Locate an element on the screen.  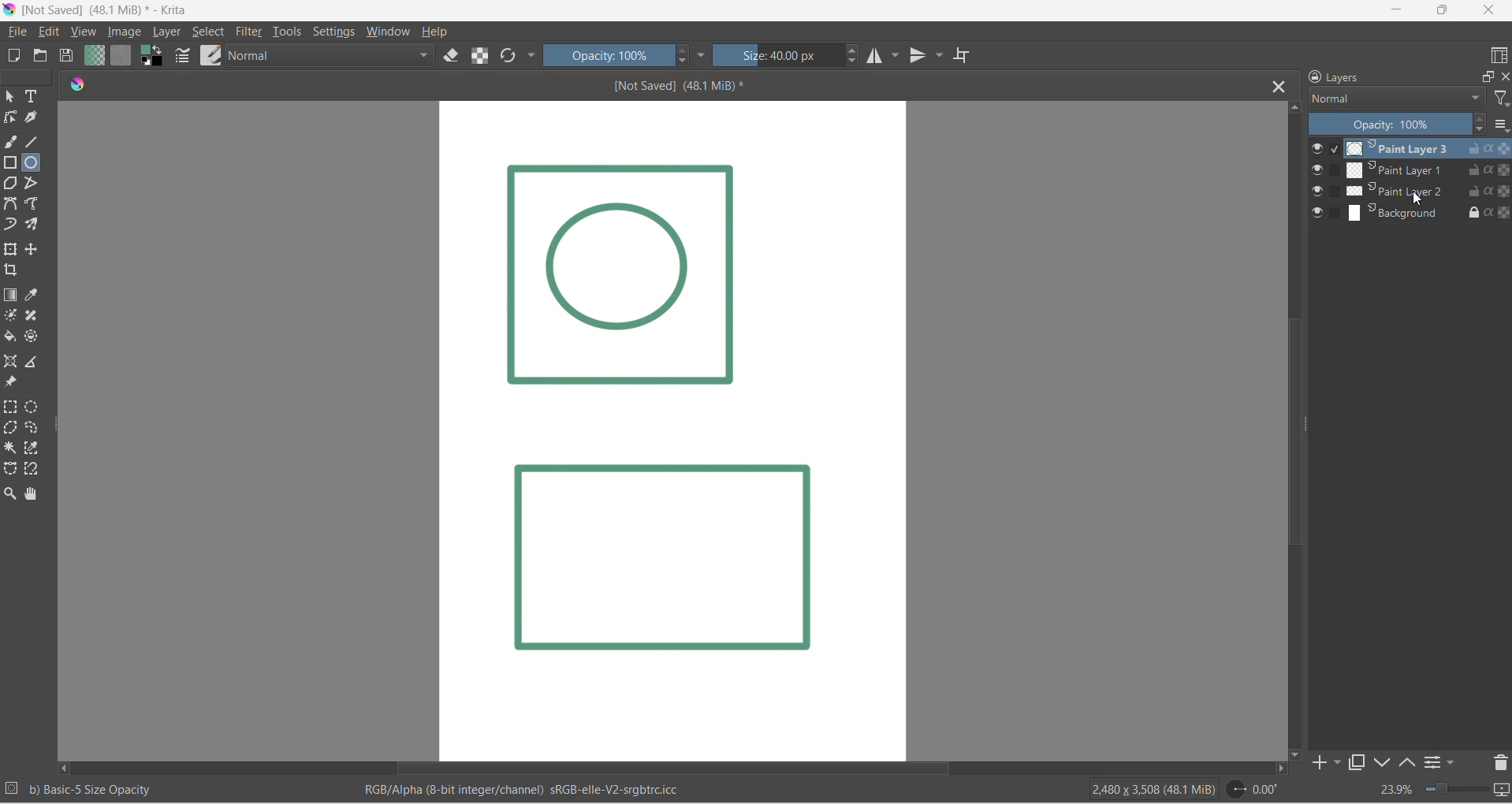
file is located at coordinates (18, 33).